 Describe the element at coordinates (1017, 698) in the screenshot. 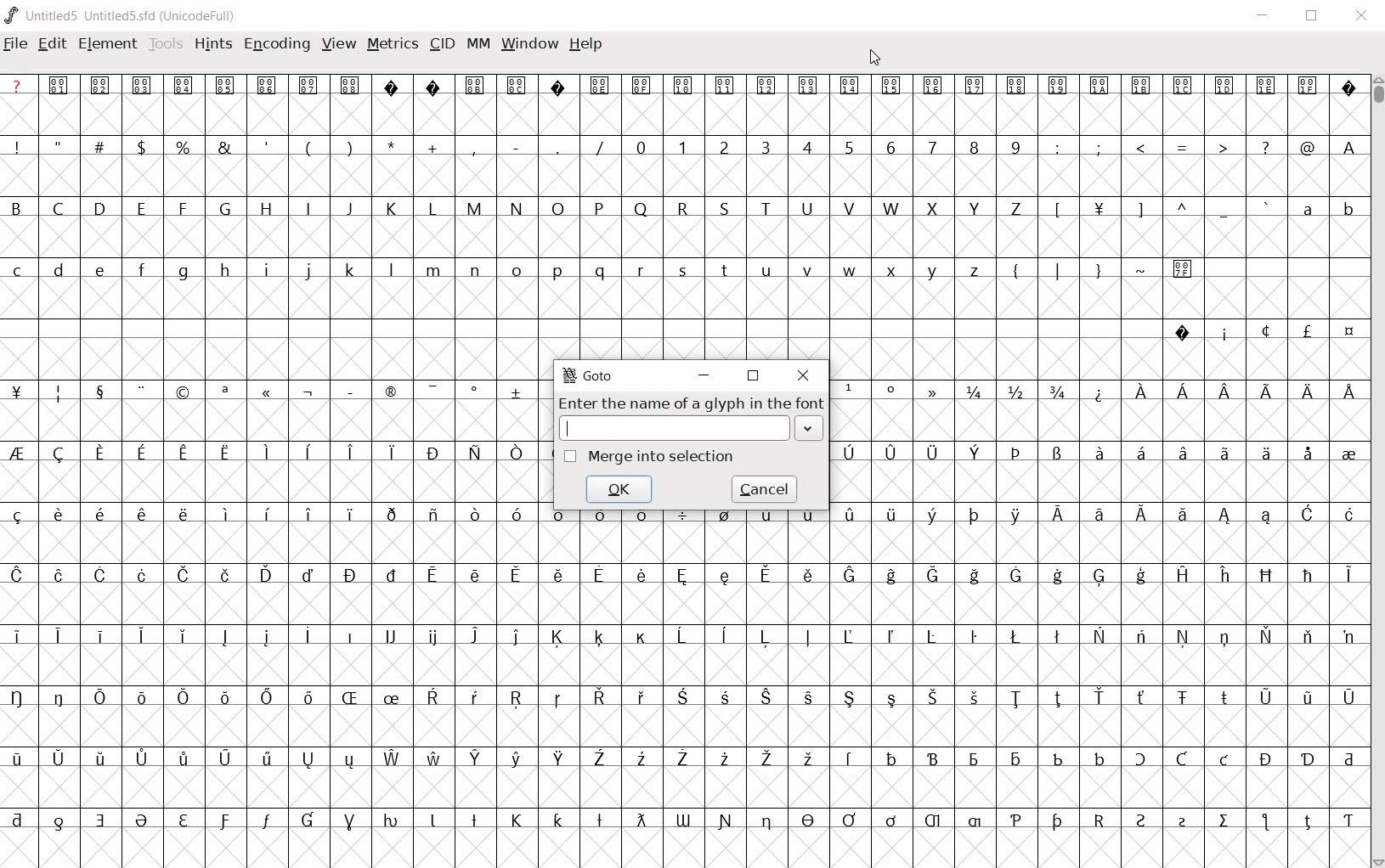

I see `Symbol` at that location.